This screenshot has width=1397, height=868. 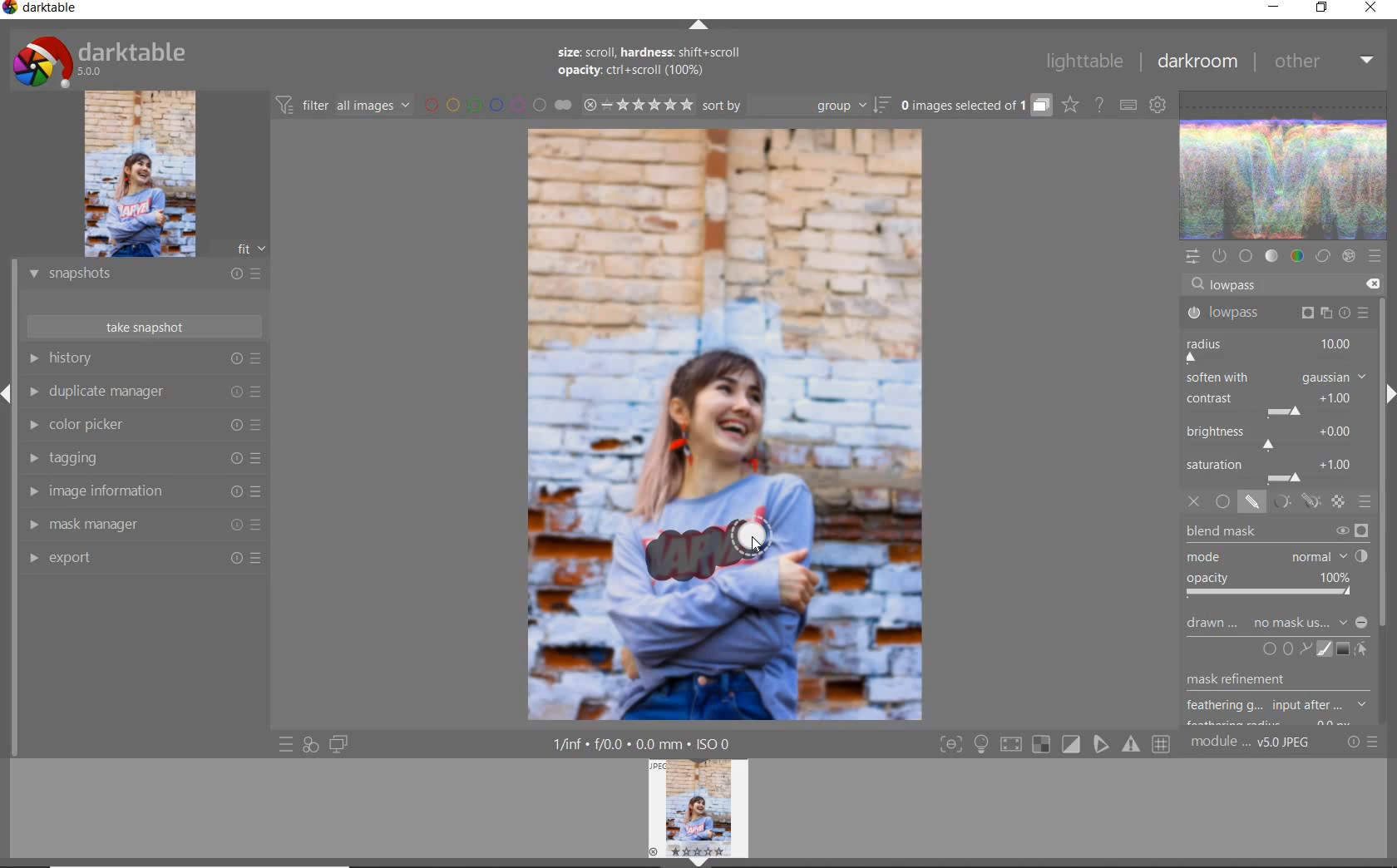 I want to click on history, so click(x=150, y=359).